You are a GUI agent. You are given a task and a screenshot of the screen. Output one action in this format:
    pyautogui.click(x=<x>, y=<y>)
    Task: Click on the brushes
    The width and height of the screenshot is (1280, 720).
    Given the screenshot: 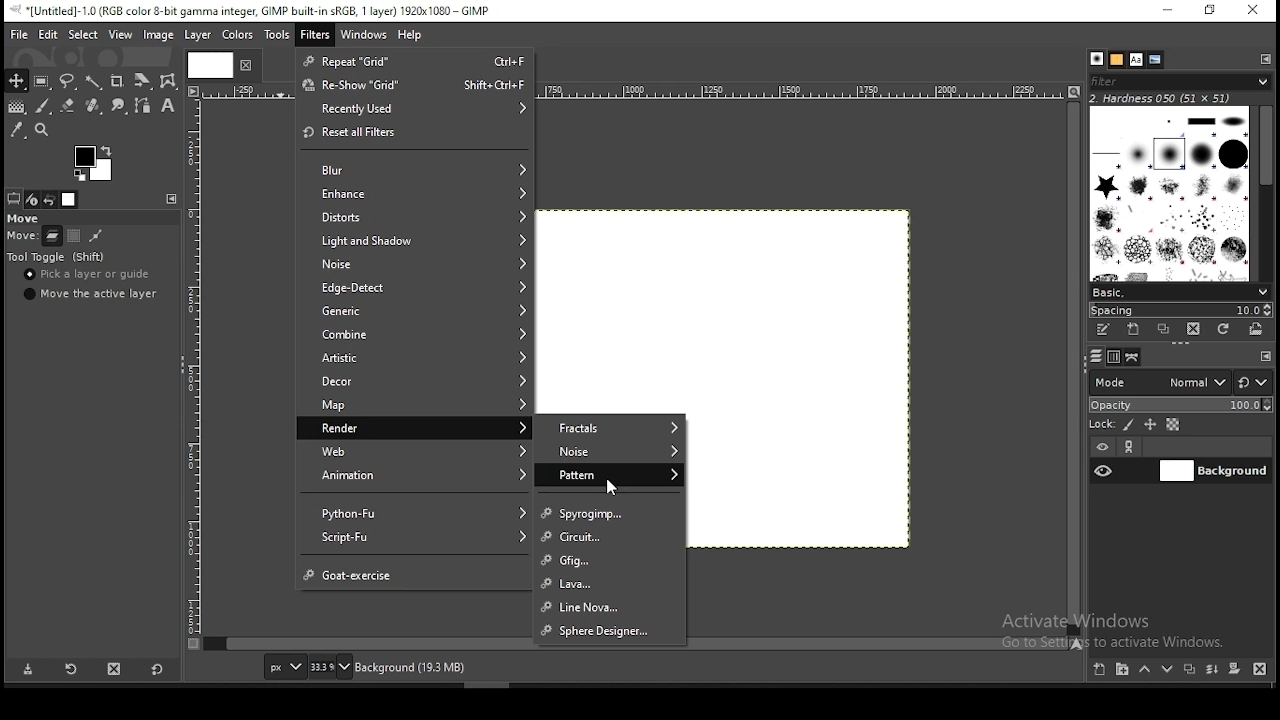 What is the action you would take?
    pyautogui.click(x=1097, y=58)
    